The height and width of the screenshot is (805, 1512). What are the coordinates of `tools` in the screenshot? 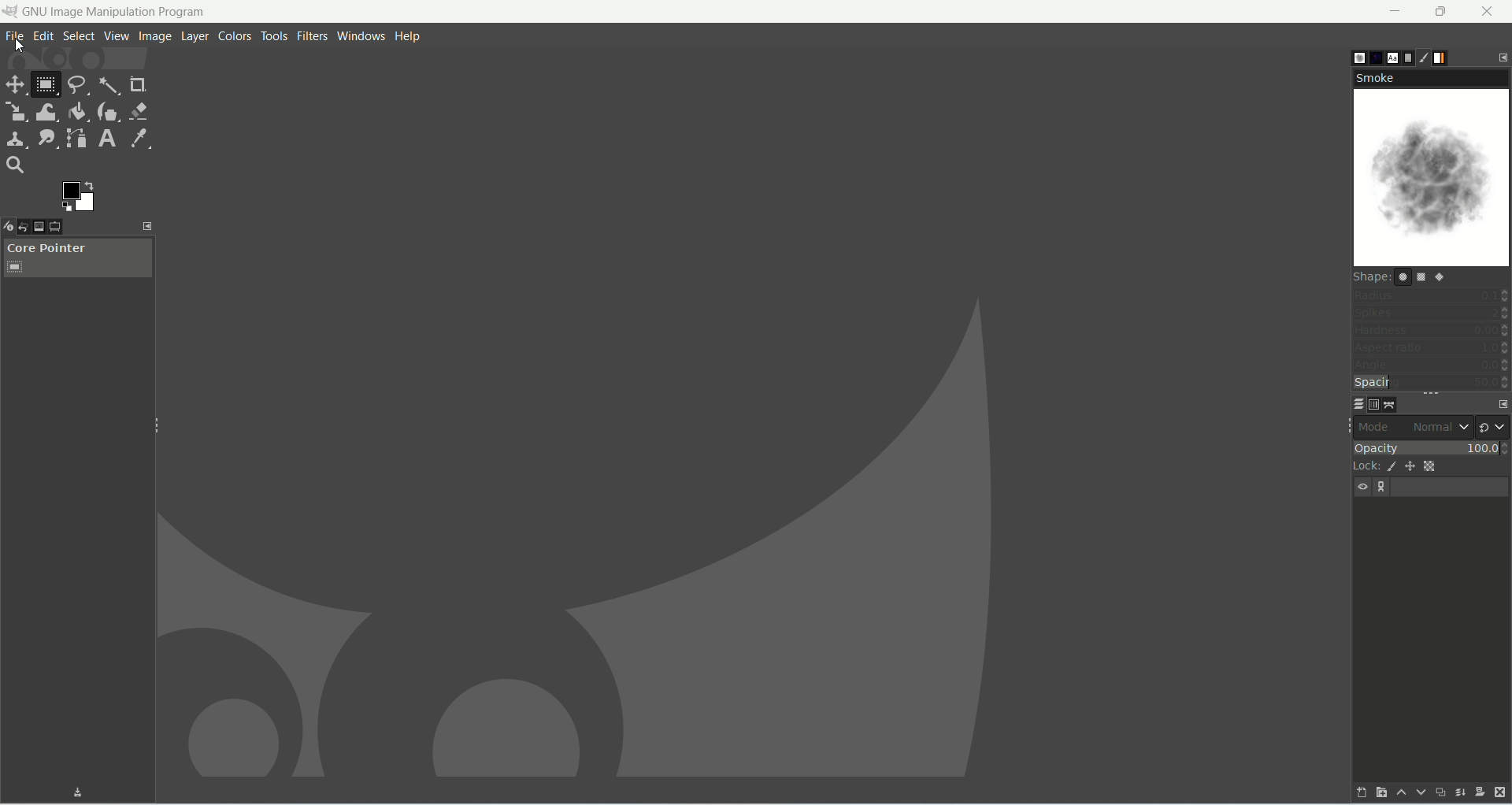 It's located at (273, 36).